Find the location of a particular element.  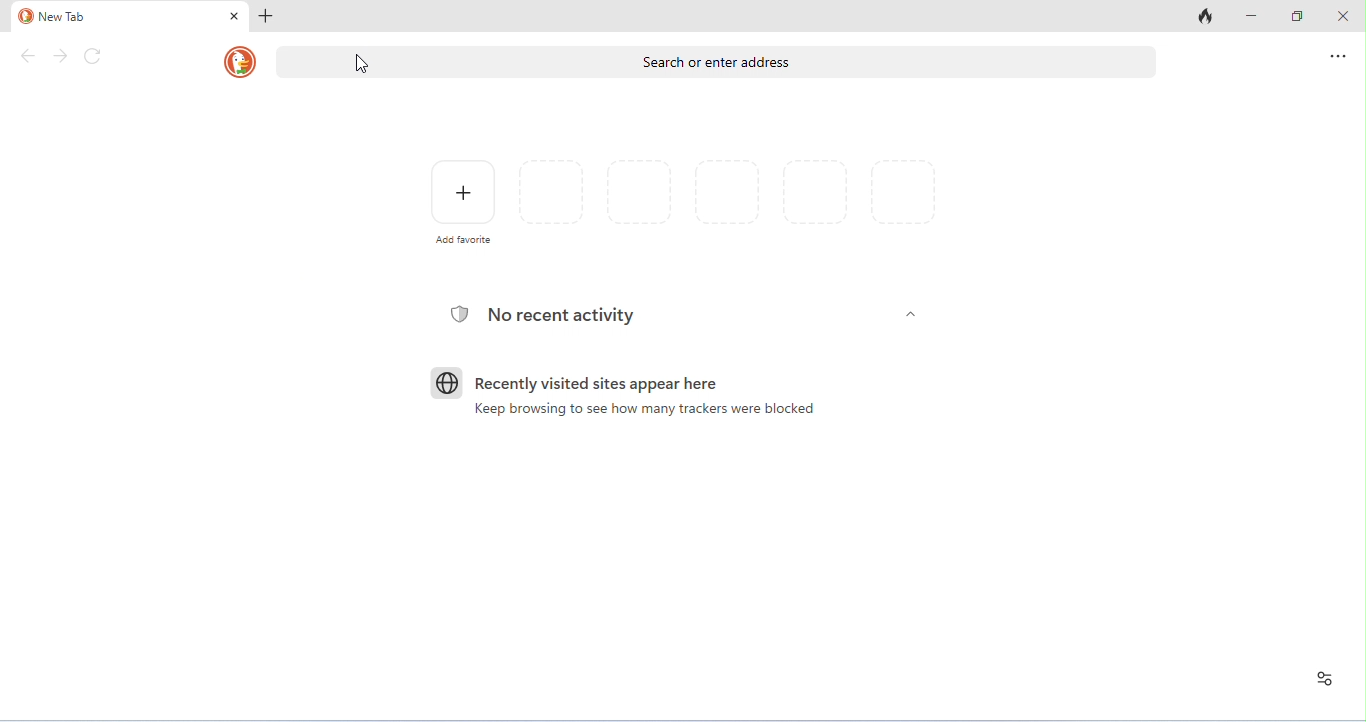

search or enter address is located at coordinates (719, 61).